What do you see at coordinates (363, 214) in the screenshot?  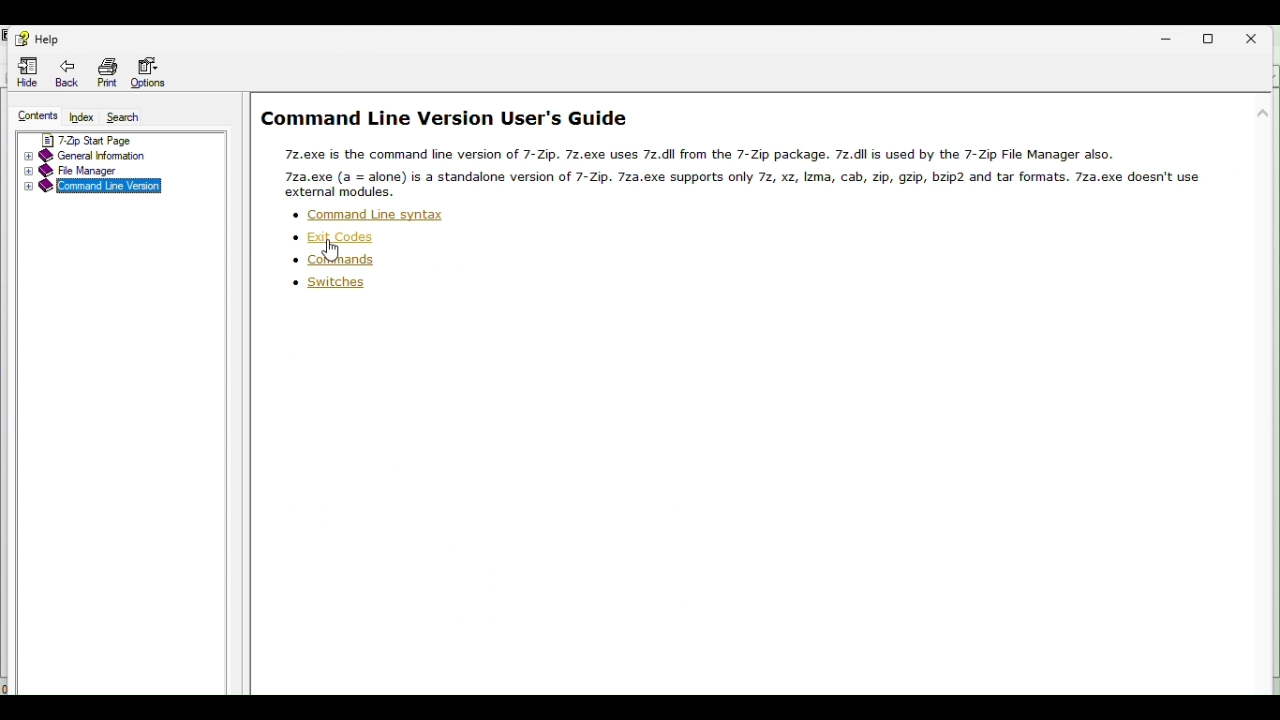 I see `command line syntax` at bounding box center [363, 214].